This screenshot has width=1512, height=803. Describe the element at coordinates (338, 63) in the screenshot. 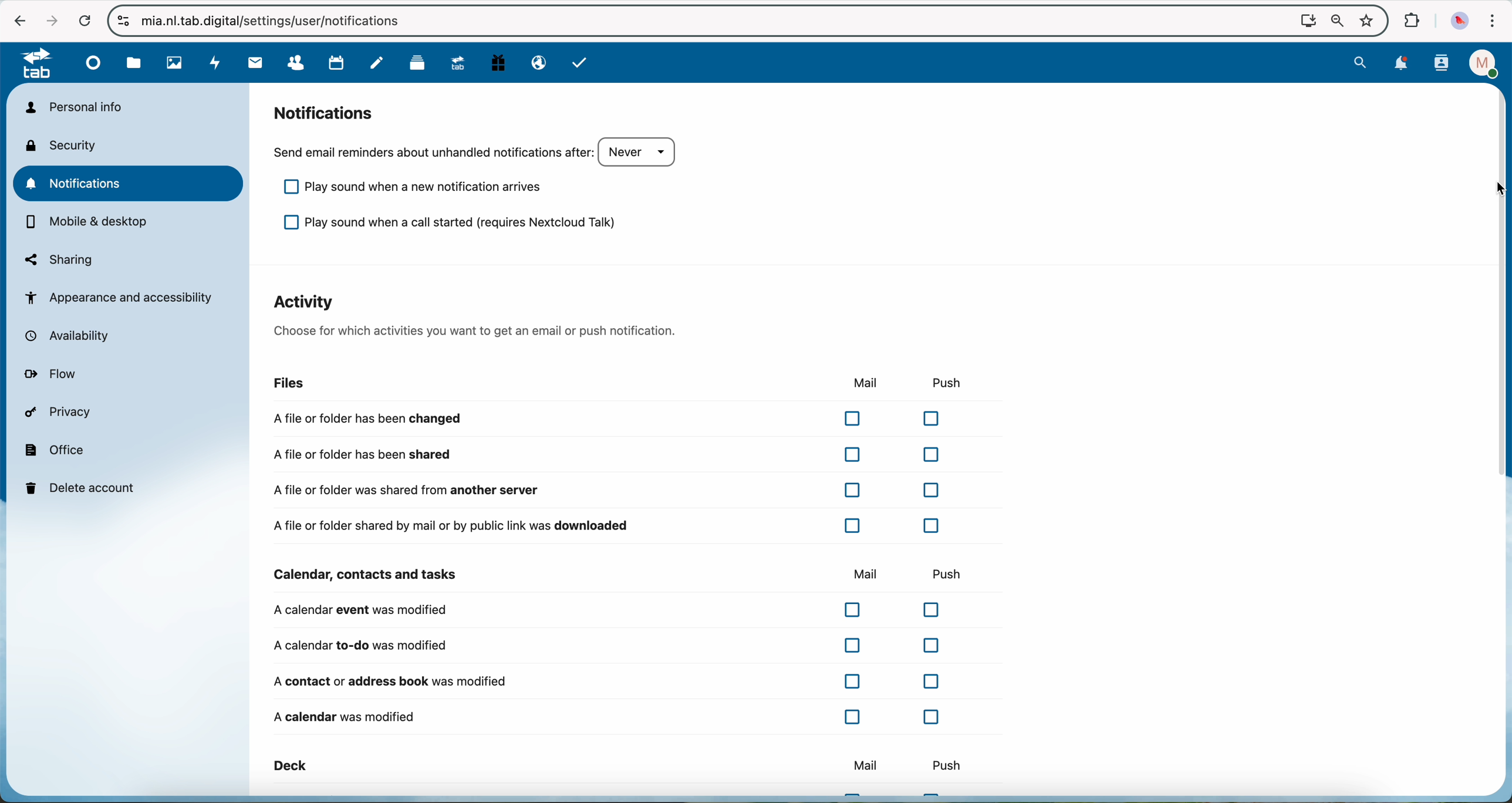

I see `calendar` at that location.